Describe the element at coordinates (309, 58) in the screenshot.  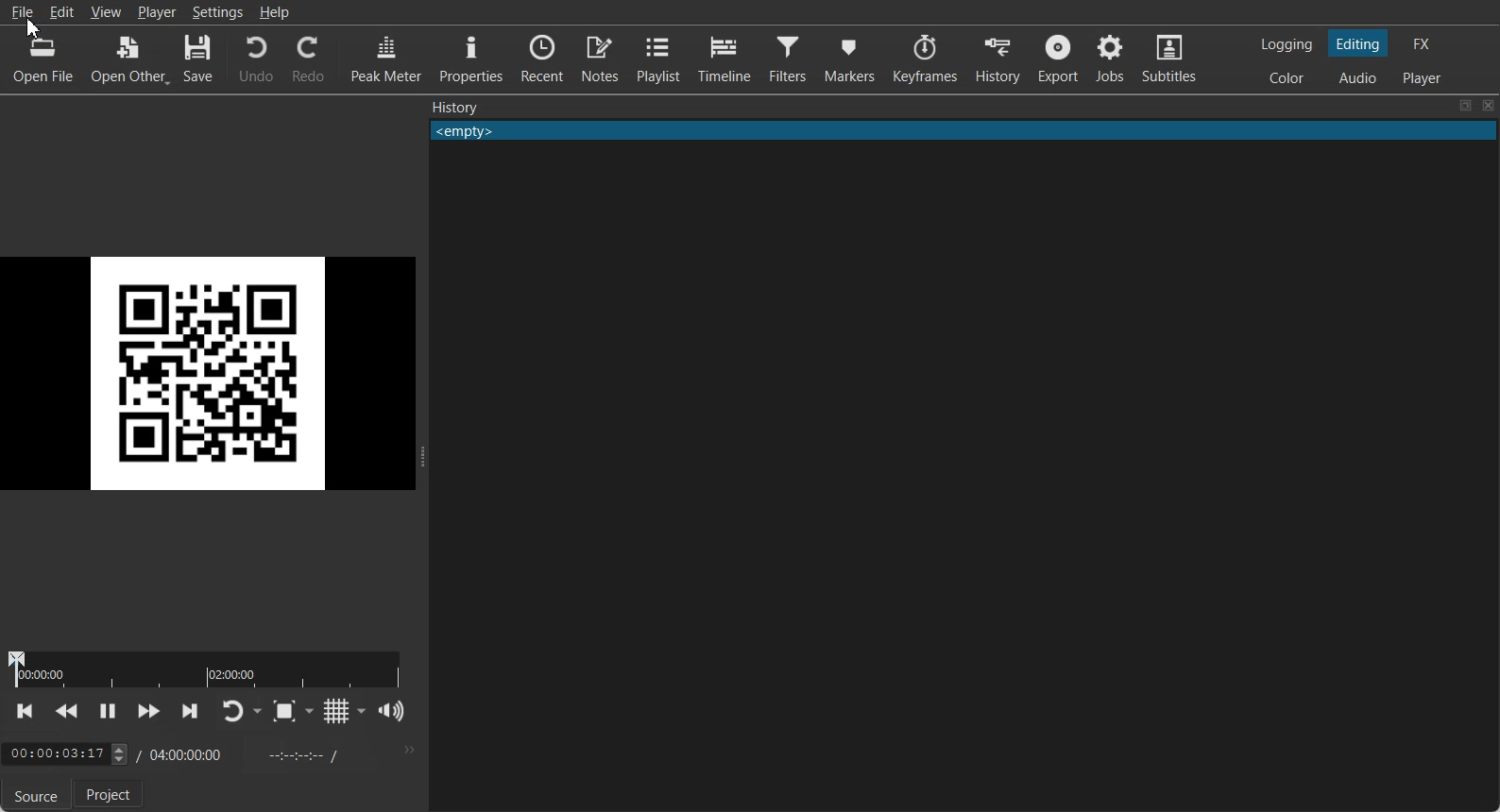
I see `Redo` at that location.